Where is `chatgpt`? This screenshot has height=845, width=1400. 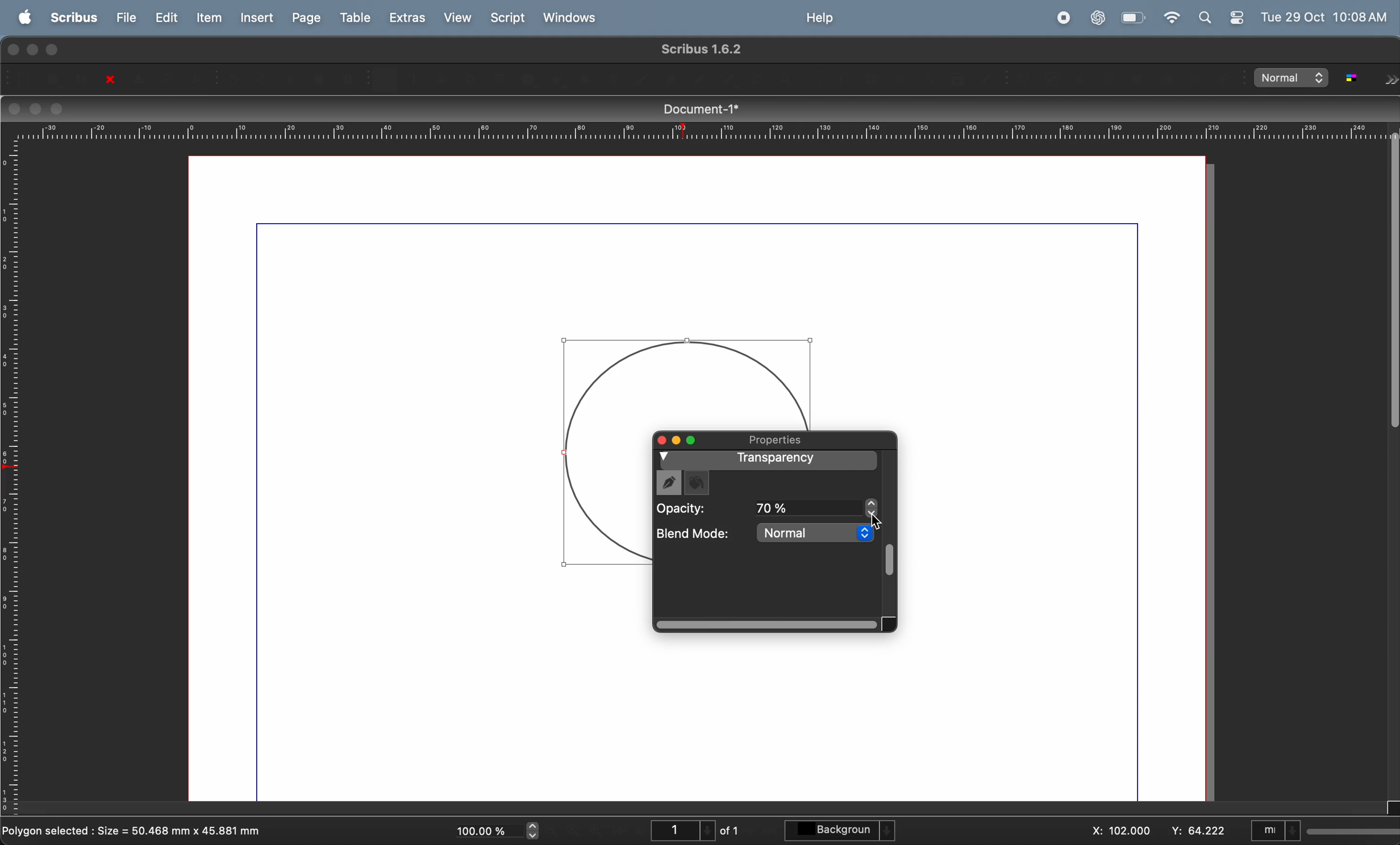
chatgpt is located at coordinates (1098, 18).